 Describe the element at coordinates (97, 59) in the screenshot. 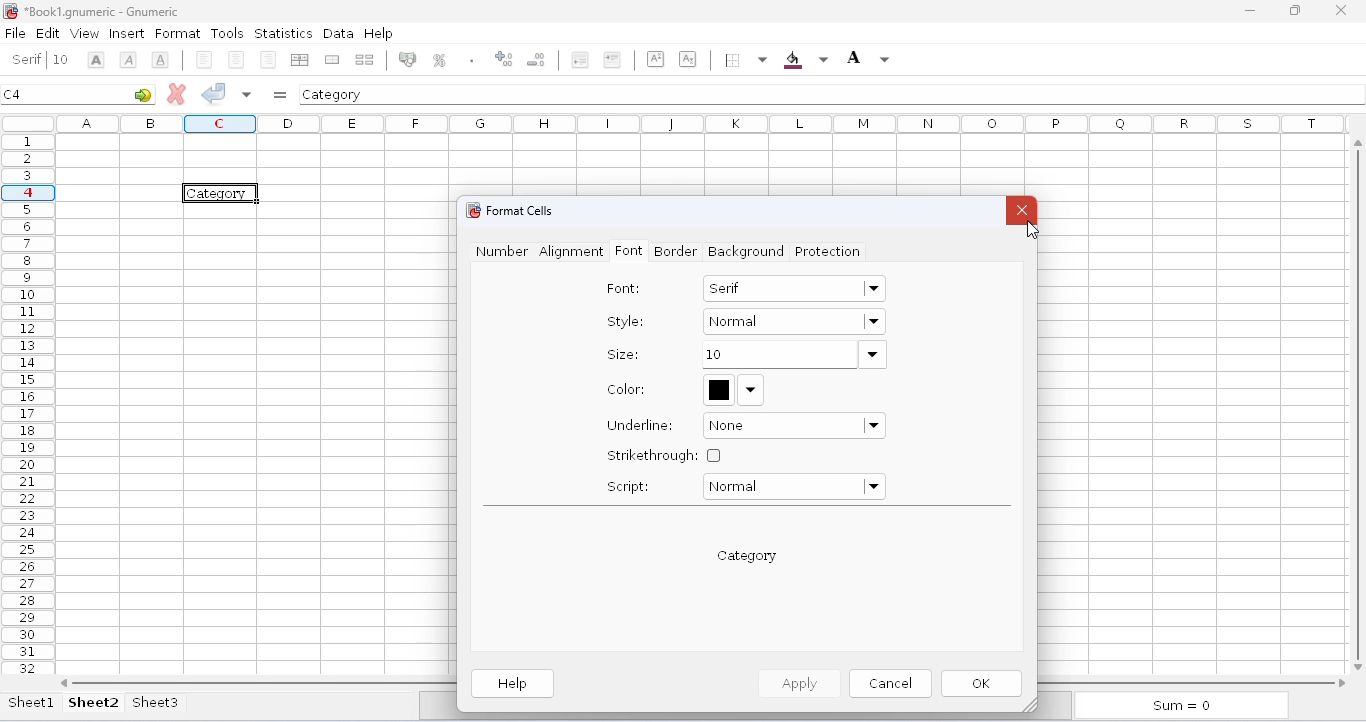

I see `font size` at that location.